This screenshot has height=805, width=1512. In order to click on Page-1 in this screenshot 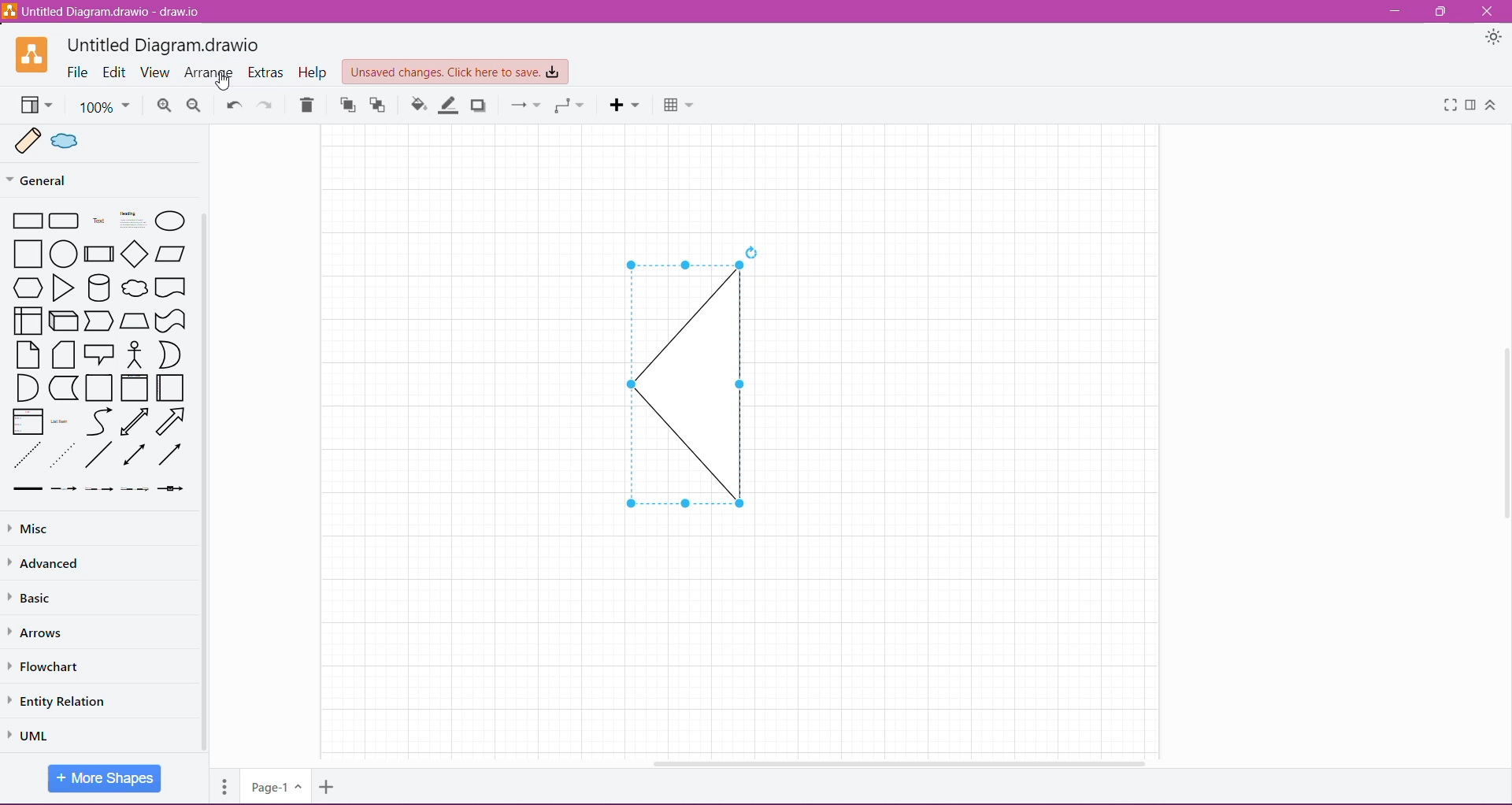, I will do `click(276, 786)`.